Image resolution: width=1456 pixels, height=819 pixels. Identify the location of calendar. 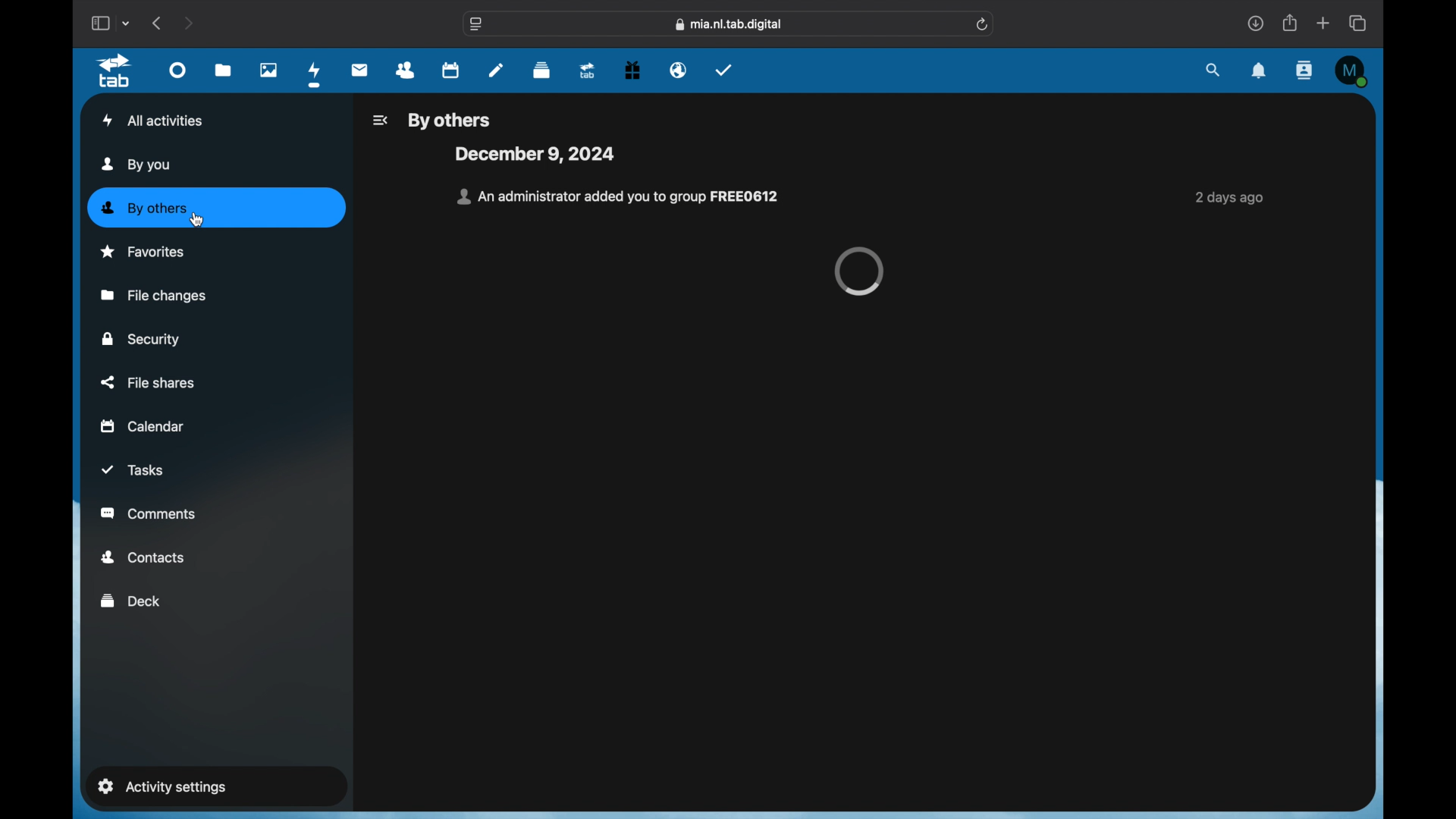
(450, 71).